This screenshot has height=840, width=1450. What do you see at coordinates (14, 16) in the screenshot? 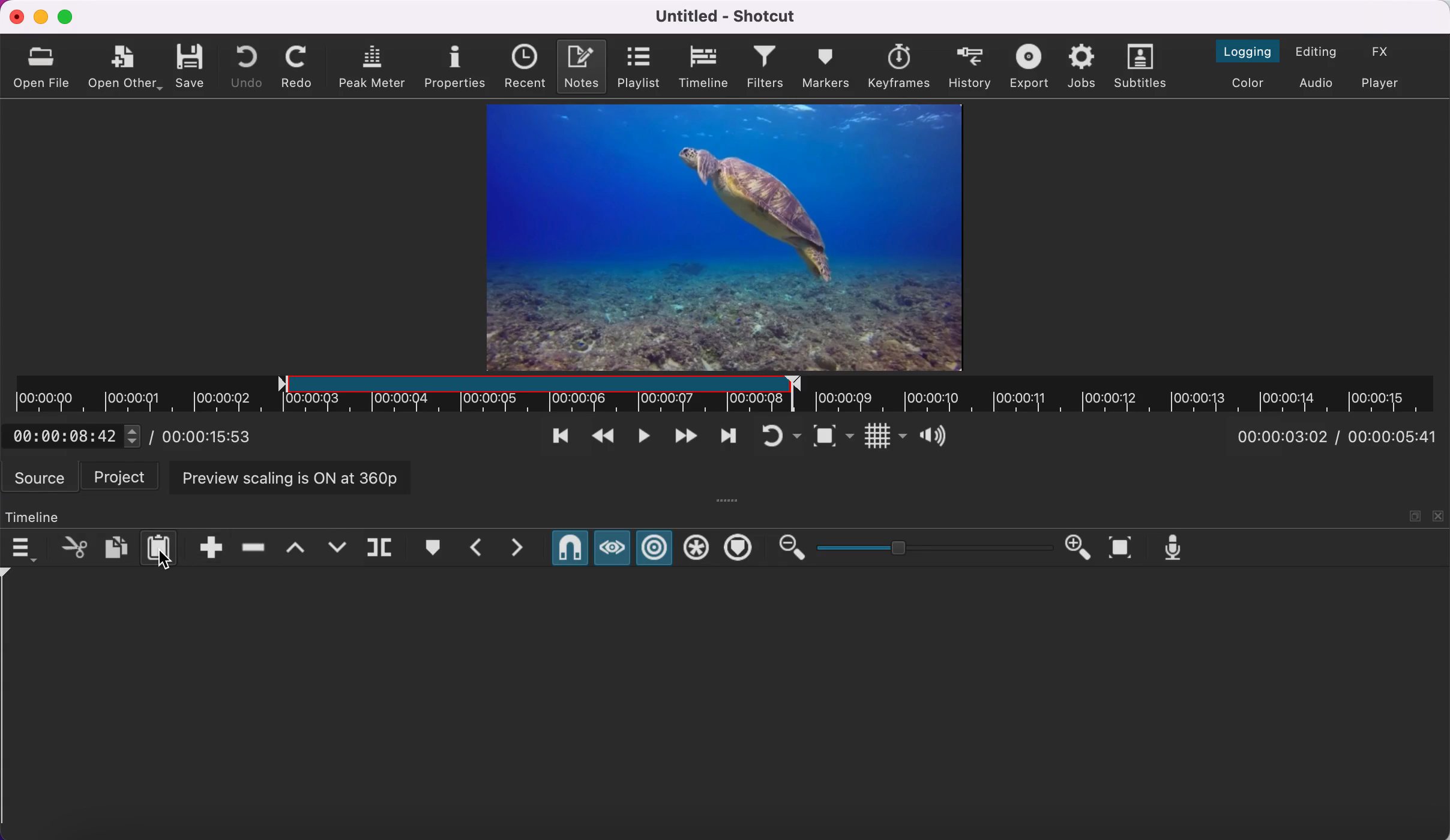
I see `close` at bounding box center [14, 16].